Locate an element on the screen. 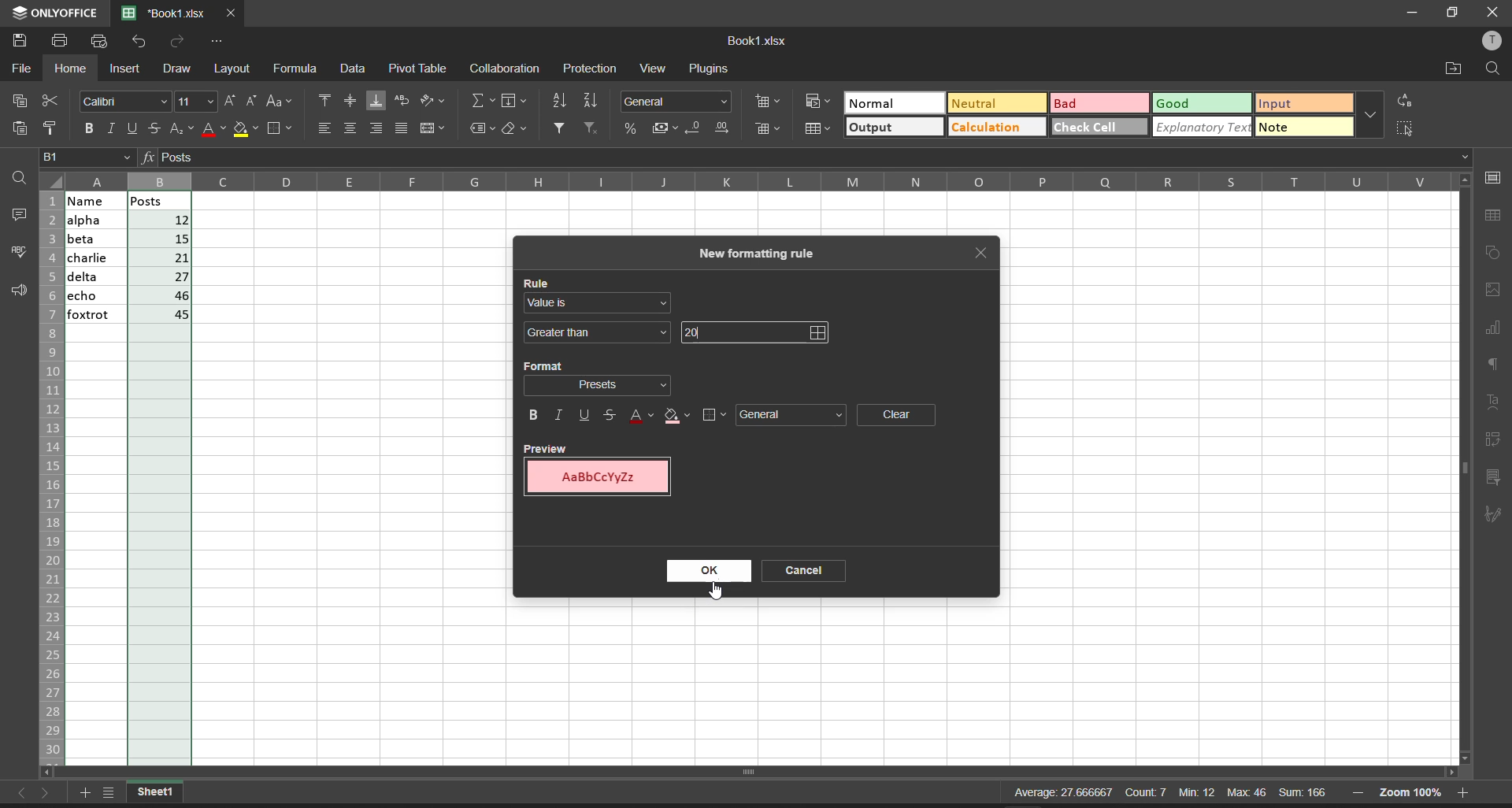 The image size is (1512, 808). chart settings is located at coordinates (1497, 329).